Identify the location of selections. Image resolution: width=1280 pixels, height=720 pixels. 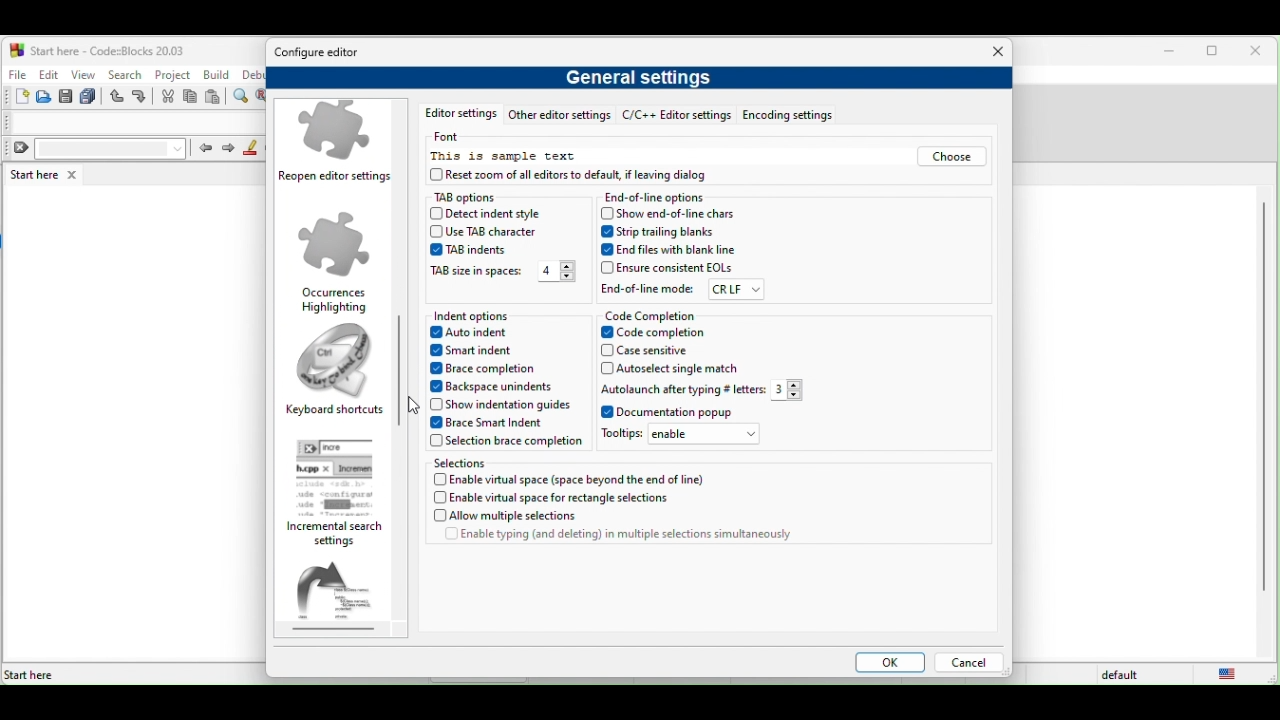
(496, 462).